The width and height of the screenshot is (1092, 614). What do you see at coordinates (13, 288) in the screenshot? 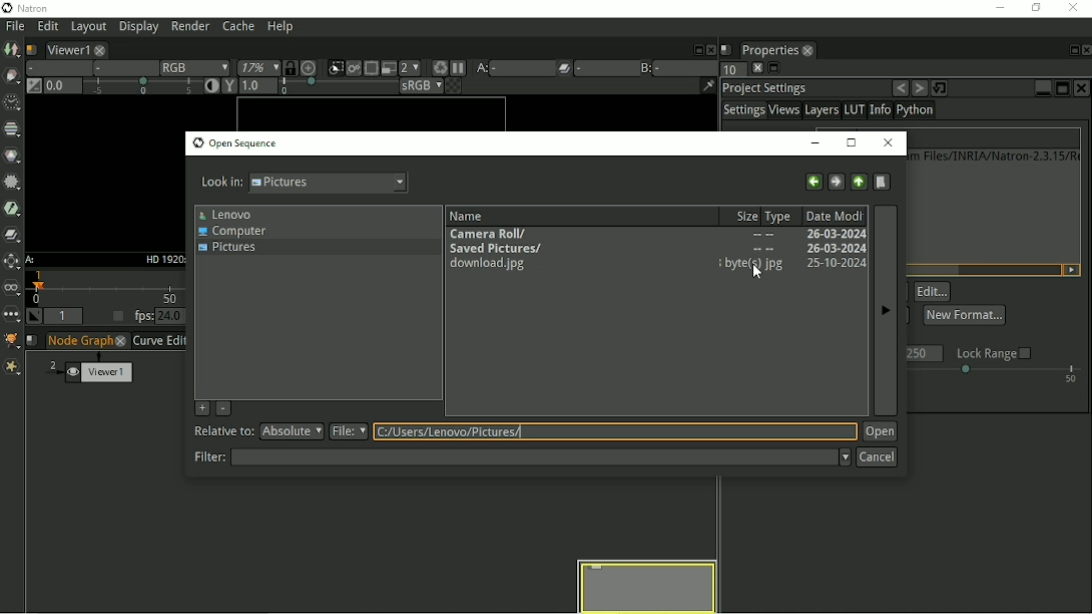
I see `Views` at bounding box center [13, 288].